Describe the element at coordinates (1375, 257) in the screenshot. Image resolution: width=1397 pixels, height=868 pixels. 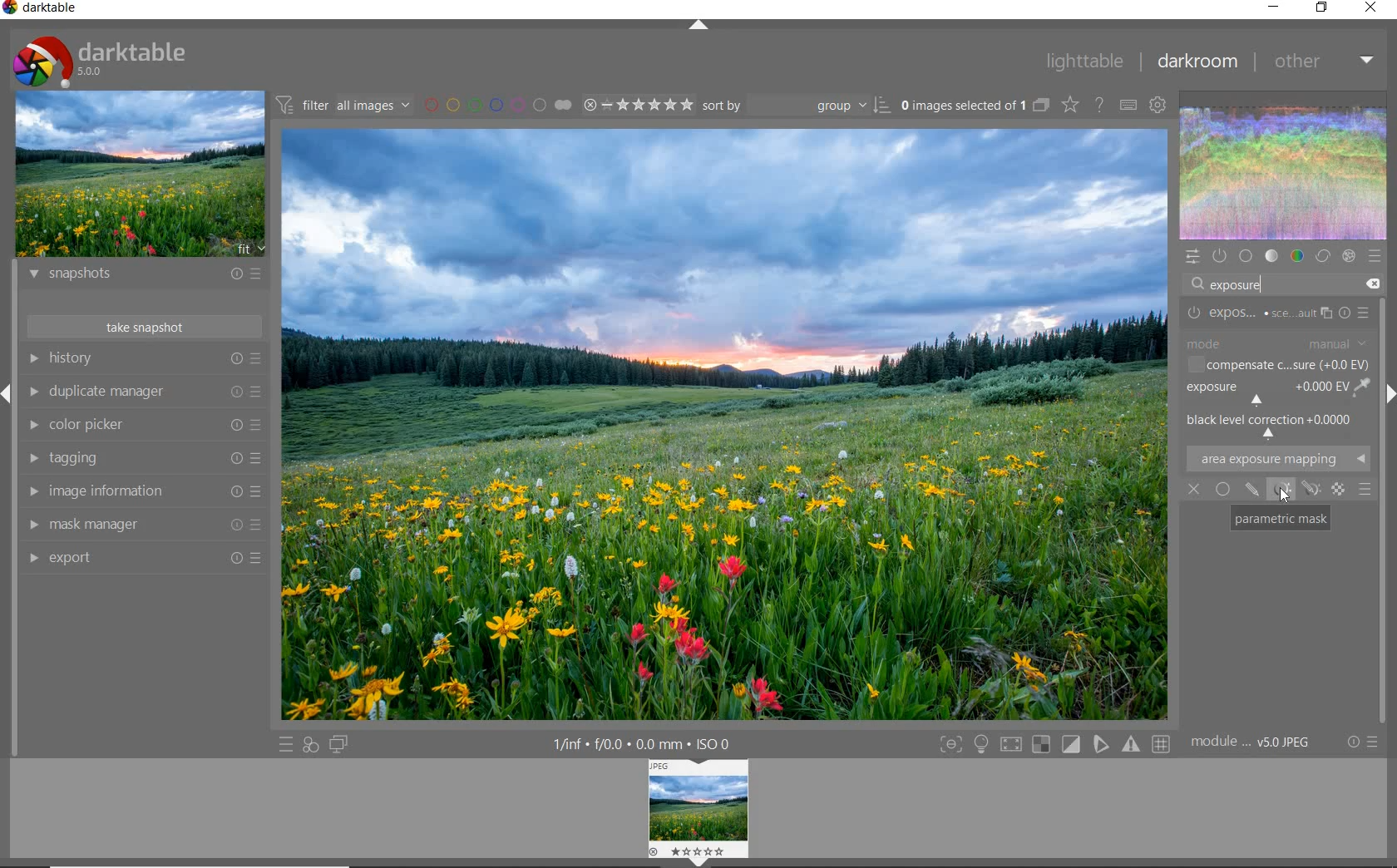
I see `presets` at that location.